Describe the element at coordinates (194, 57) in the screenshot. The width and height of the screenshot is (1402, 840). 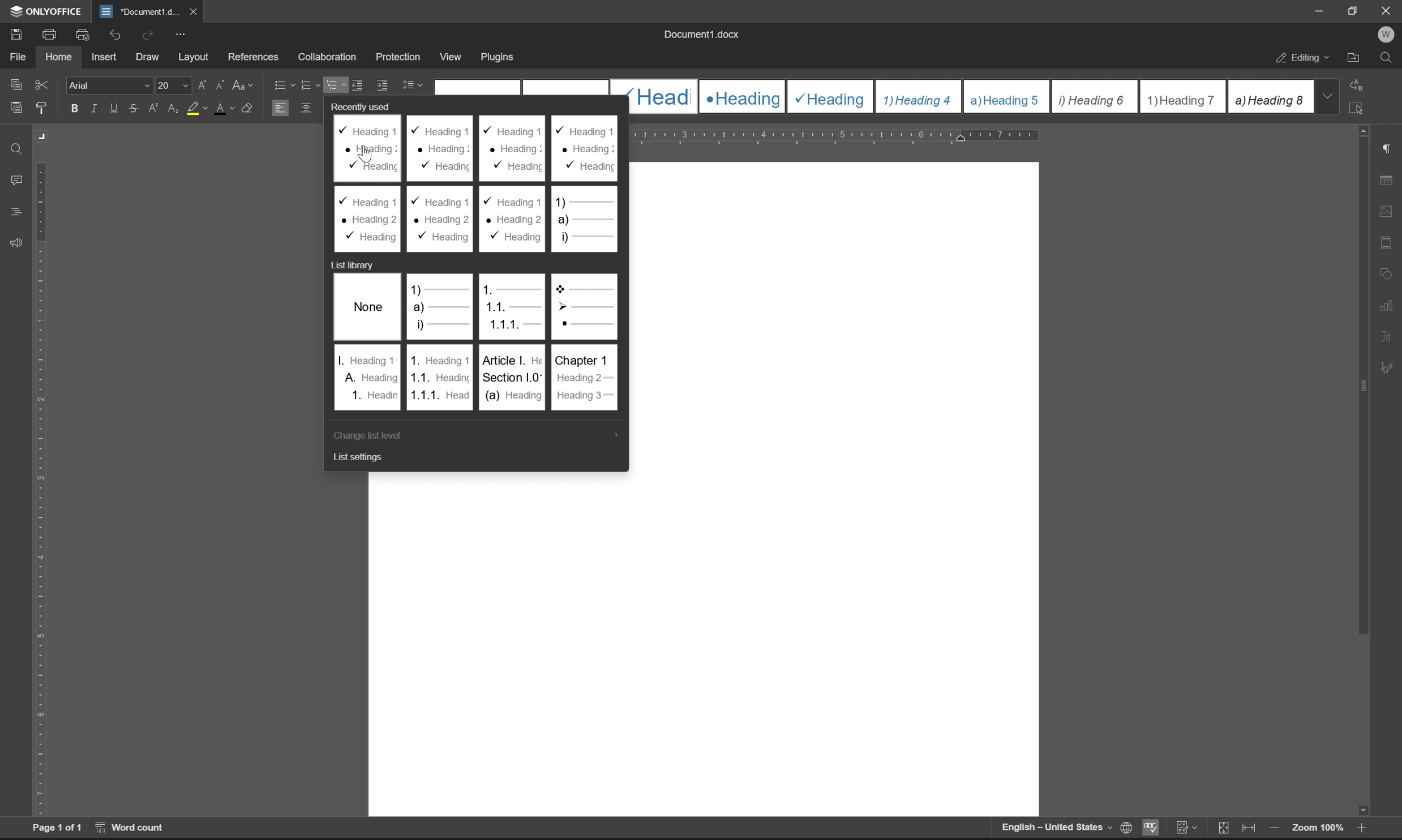
I see `layout` at that location.